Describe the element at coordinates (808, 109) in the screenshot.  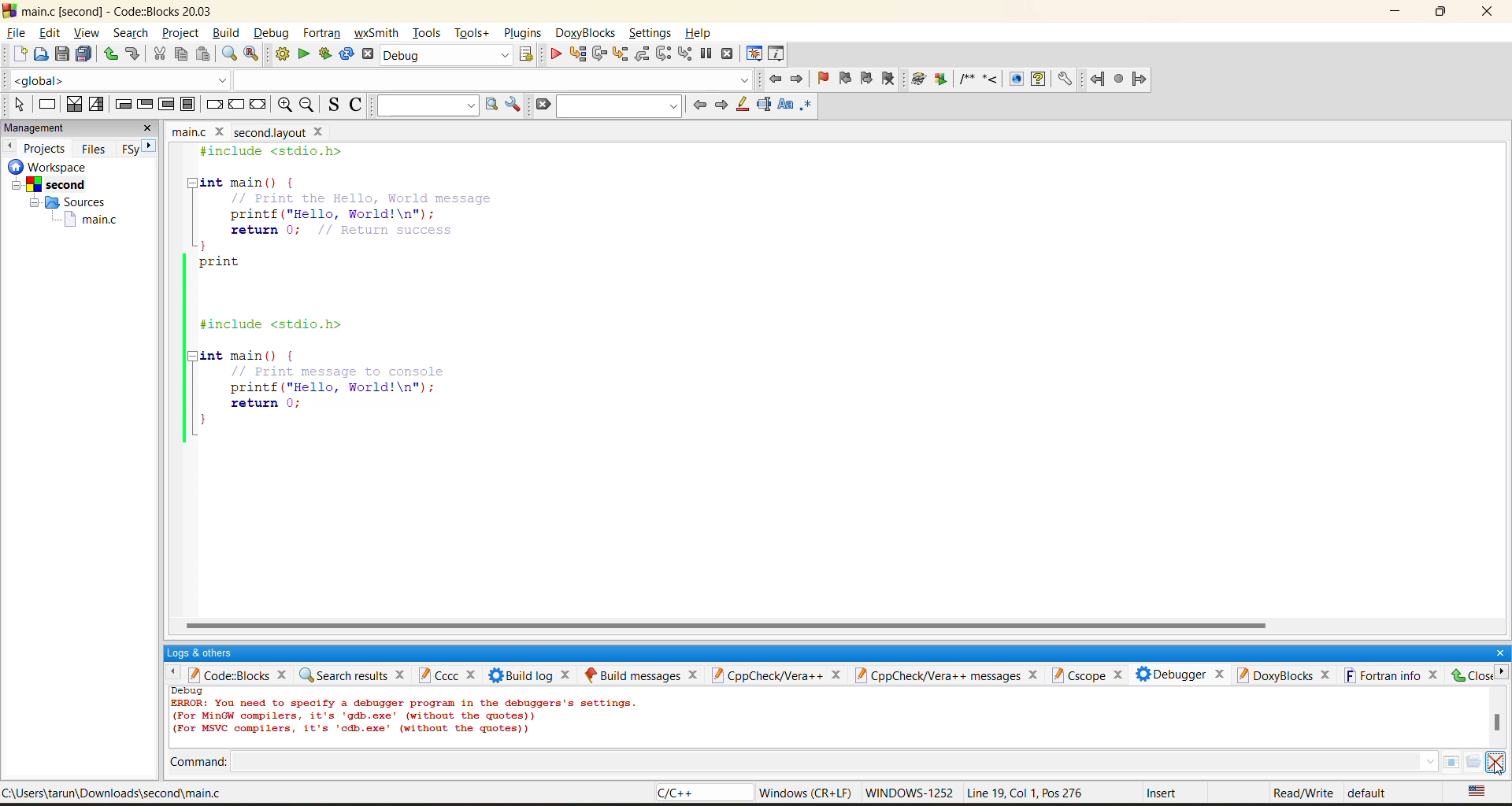
I see `use regex` at that location.